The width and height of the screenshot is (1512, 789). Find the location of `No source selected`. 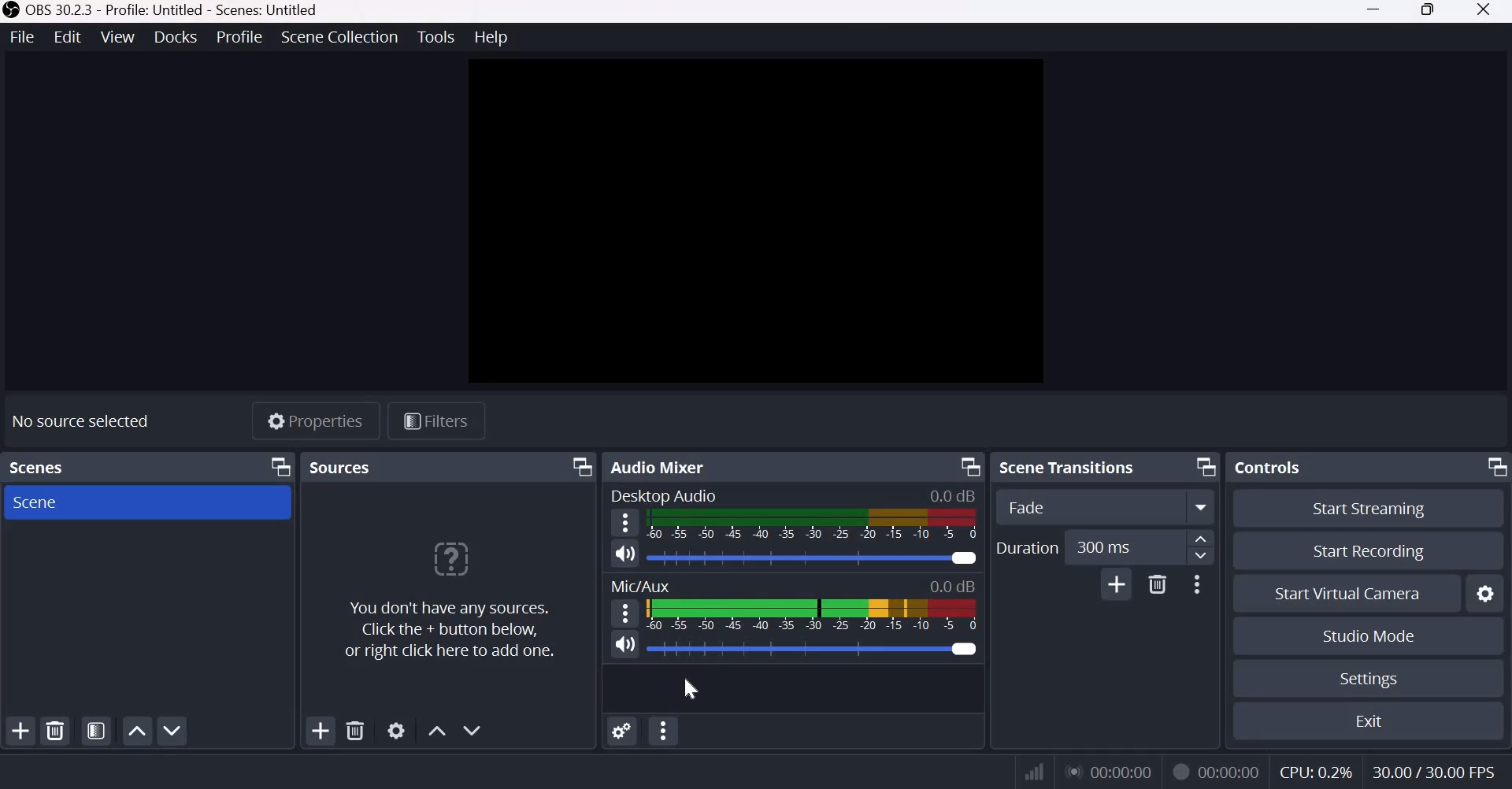

No source selected is located at coordinates (82, 419).